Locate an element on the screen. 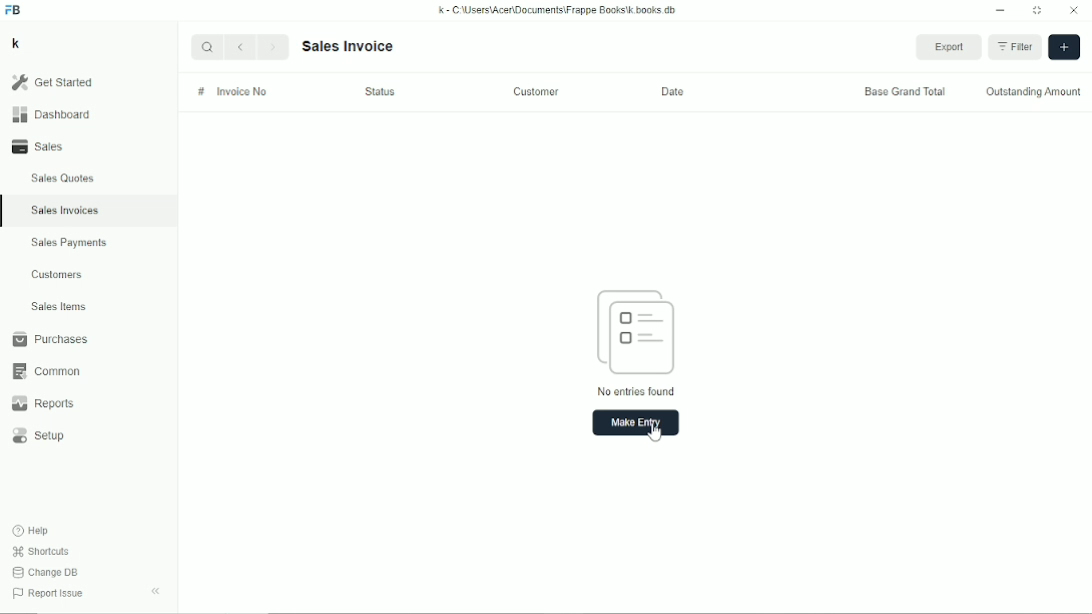 This screenshot has height=614, width=1092. Export is located at coordinates (951, 48).